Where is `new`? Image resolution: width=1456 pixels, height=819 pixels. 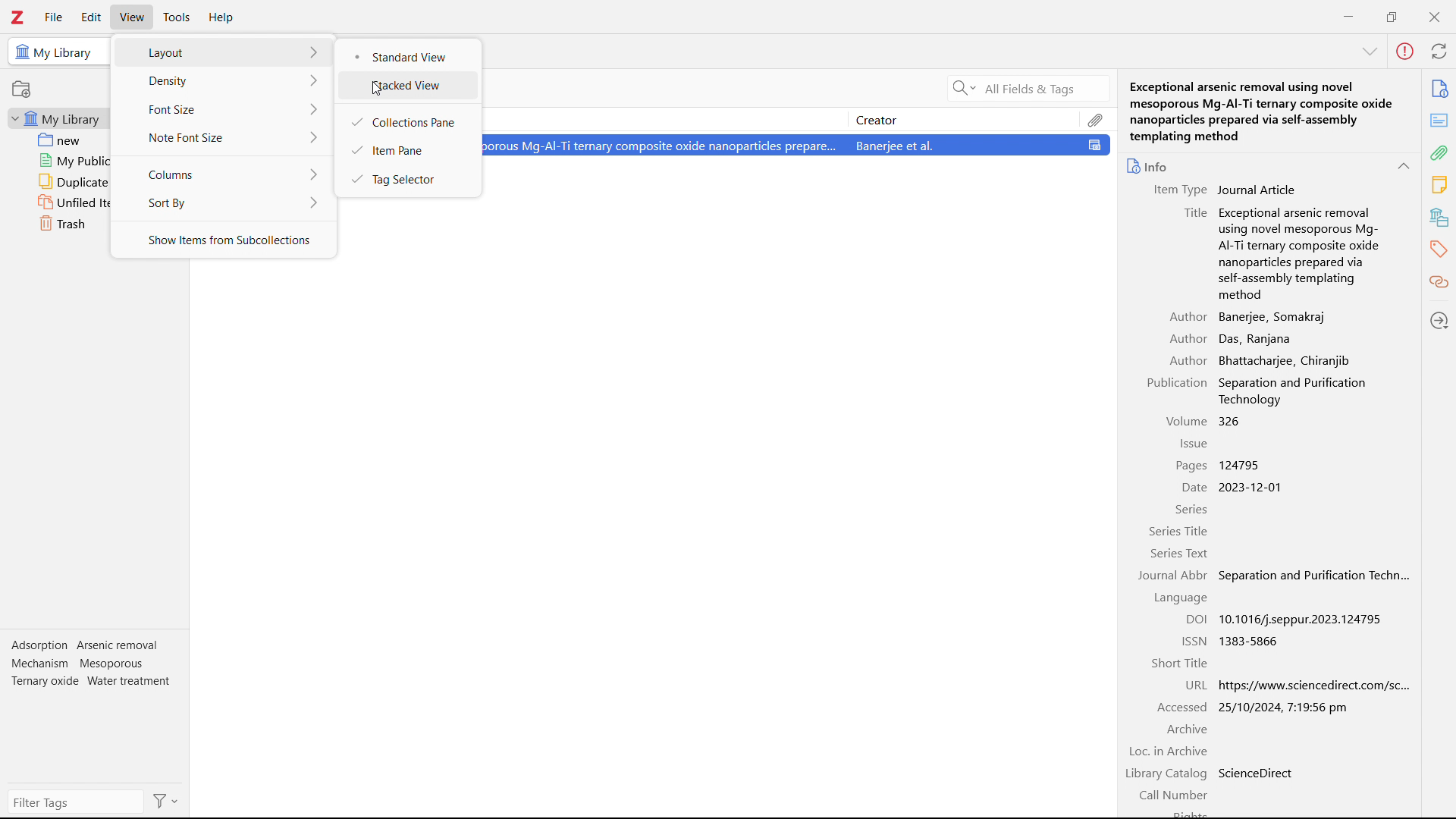 new is located at coordinates (55, 140).